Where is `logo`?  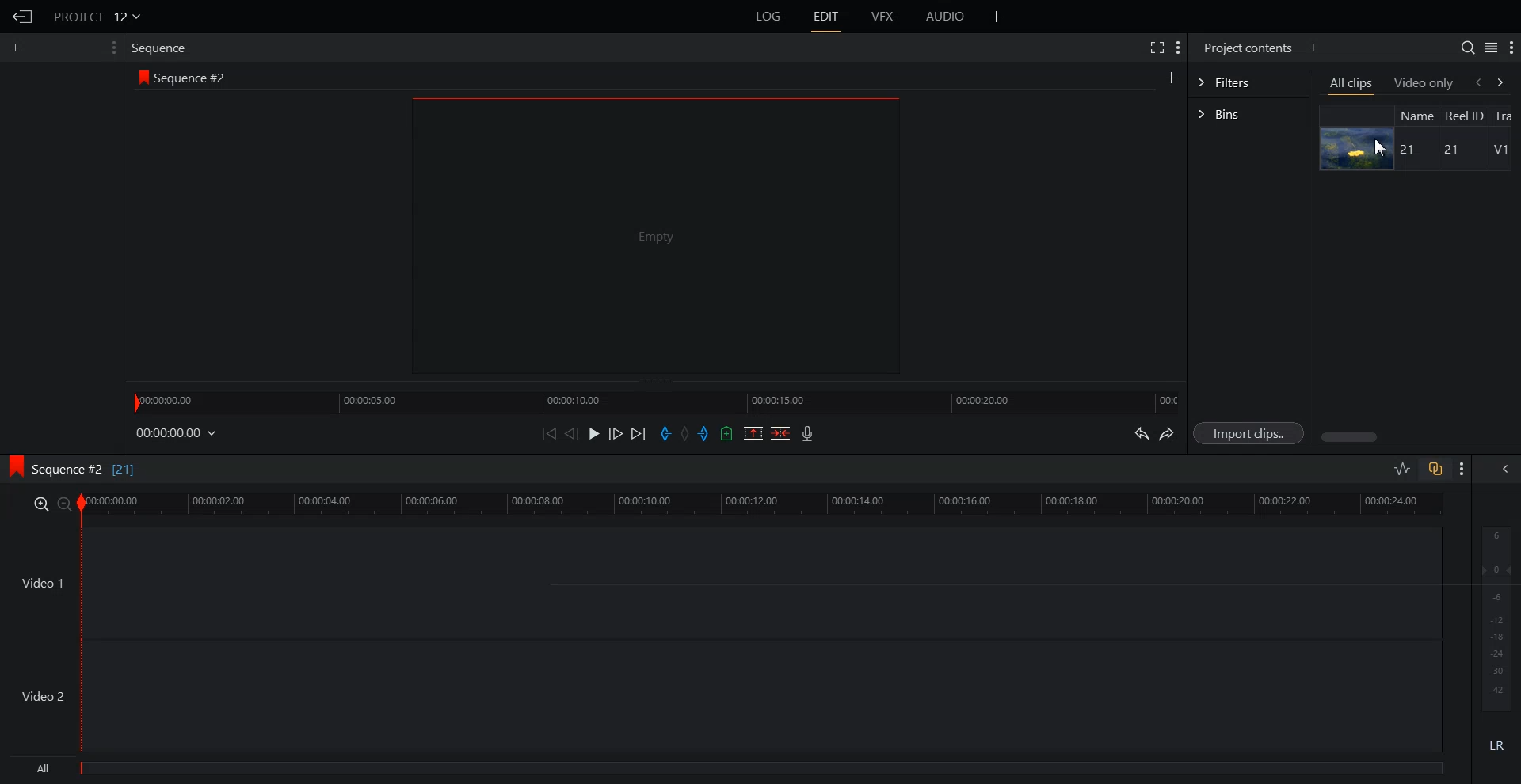 logo is located at coordinates (141, 76).